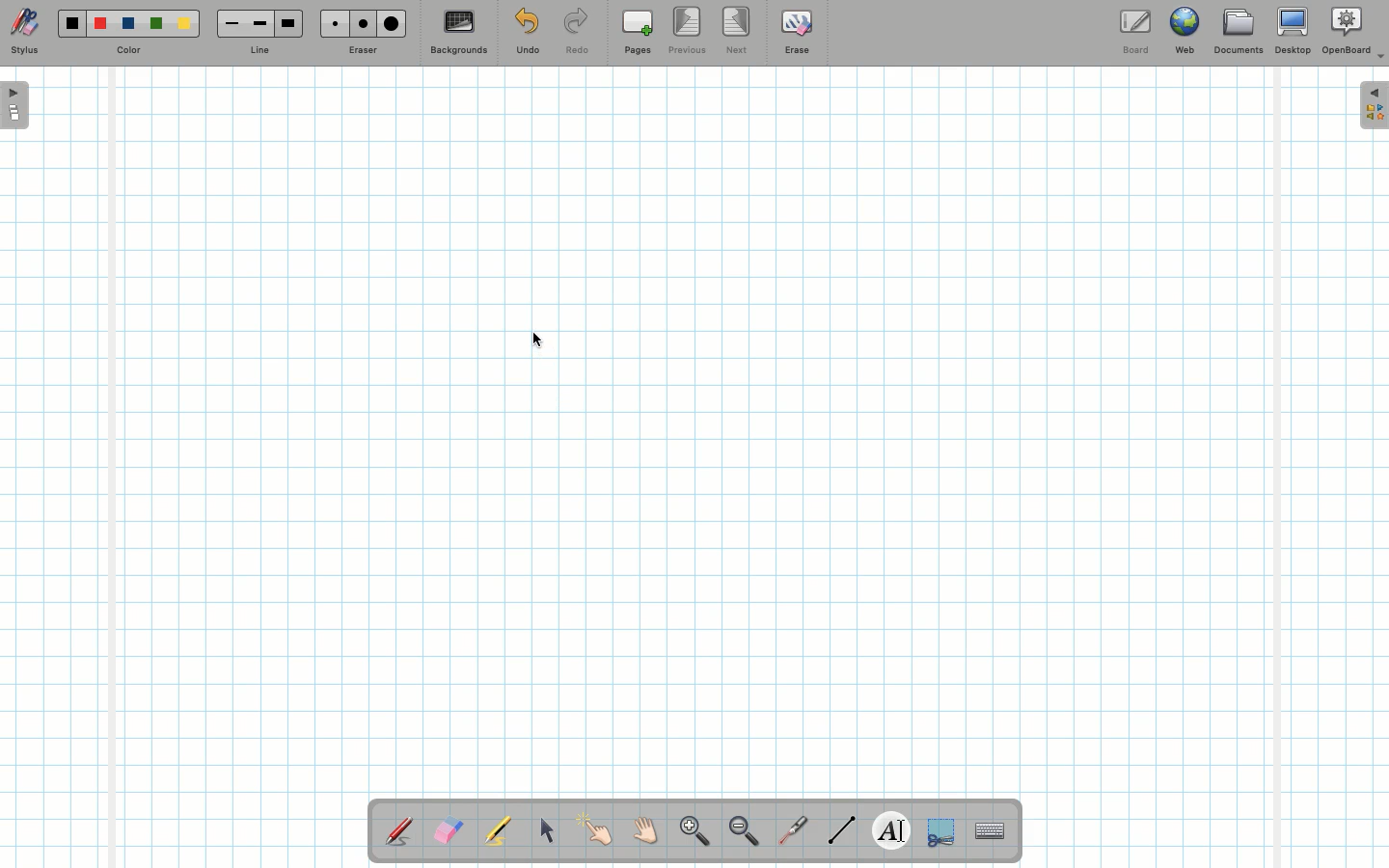 The height and width of the screenshot is (868, 1389). I want to click on Pointer, so click(546, 830).